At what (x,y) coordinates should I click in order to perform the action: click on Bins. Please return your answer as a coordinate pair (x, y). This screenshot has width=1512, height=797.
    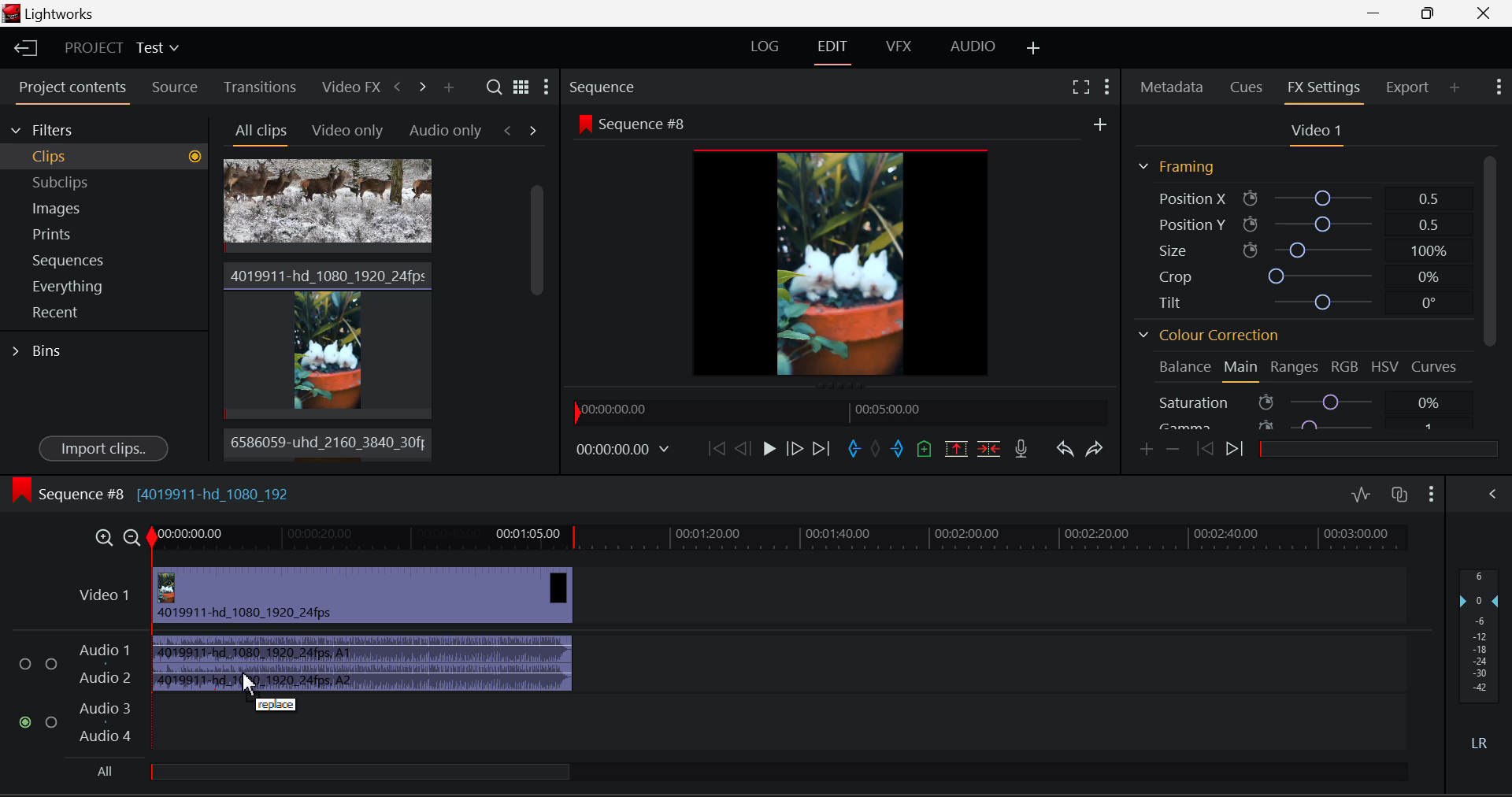
    Looking at the image, I should click on (38, 353).